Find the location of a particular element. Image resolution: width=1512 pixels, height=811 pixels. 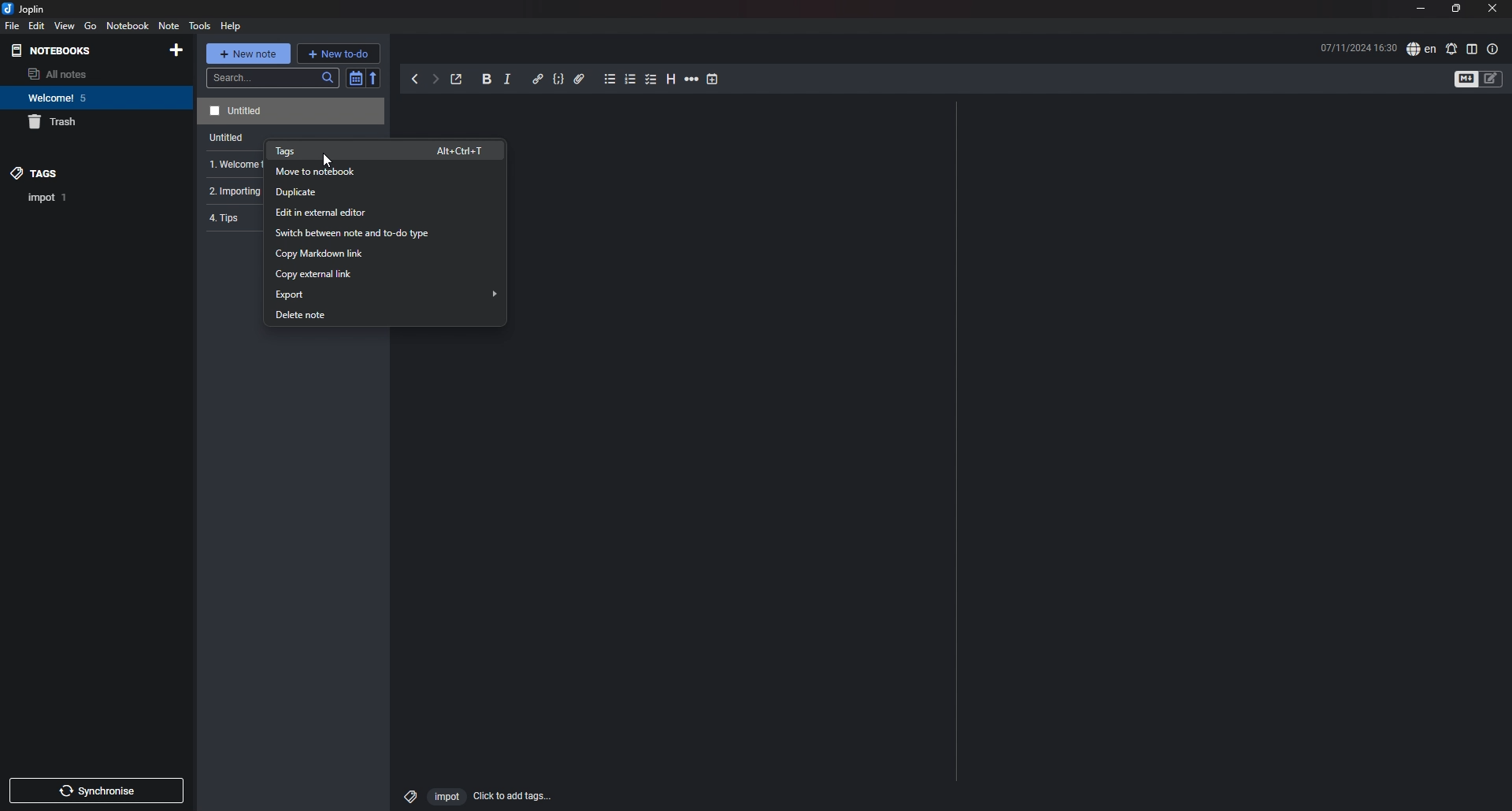

toggle editor layout is located at coordinates (1472, 49).